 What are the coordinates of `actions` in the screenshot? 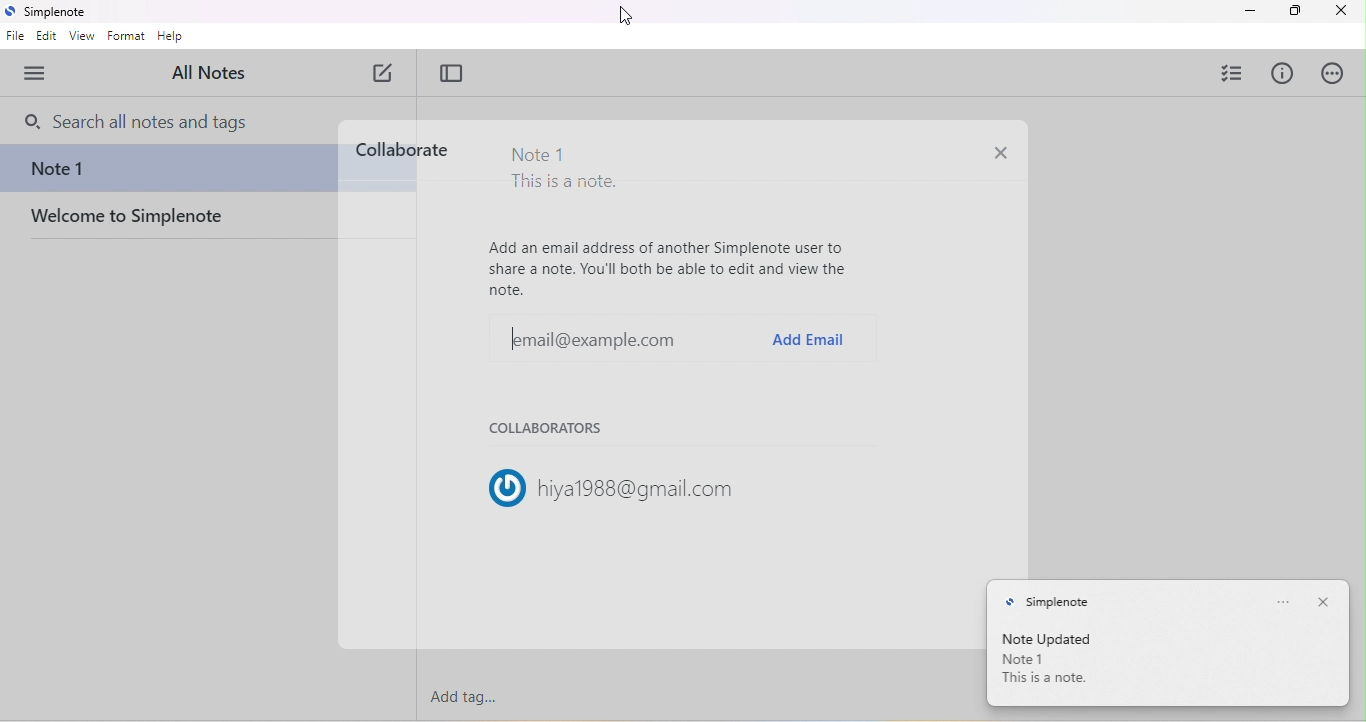 It's located at (1332, 73).